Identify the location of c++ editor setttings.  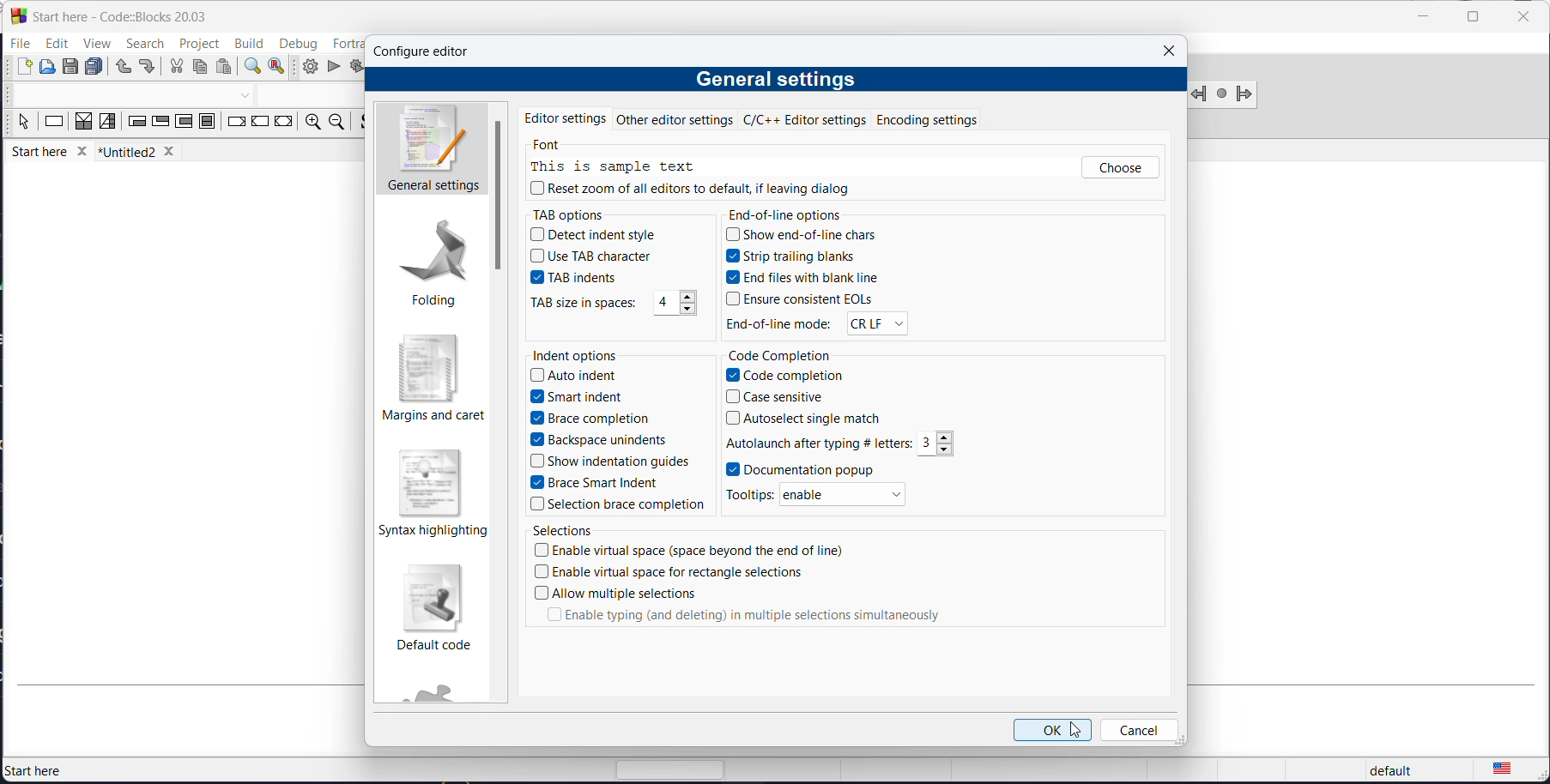
(808, 119).